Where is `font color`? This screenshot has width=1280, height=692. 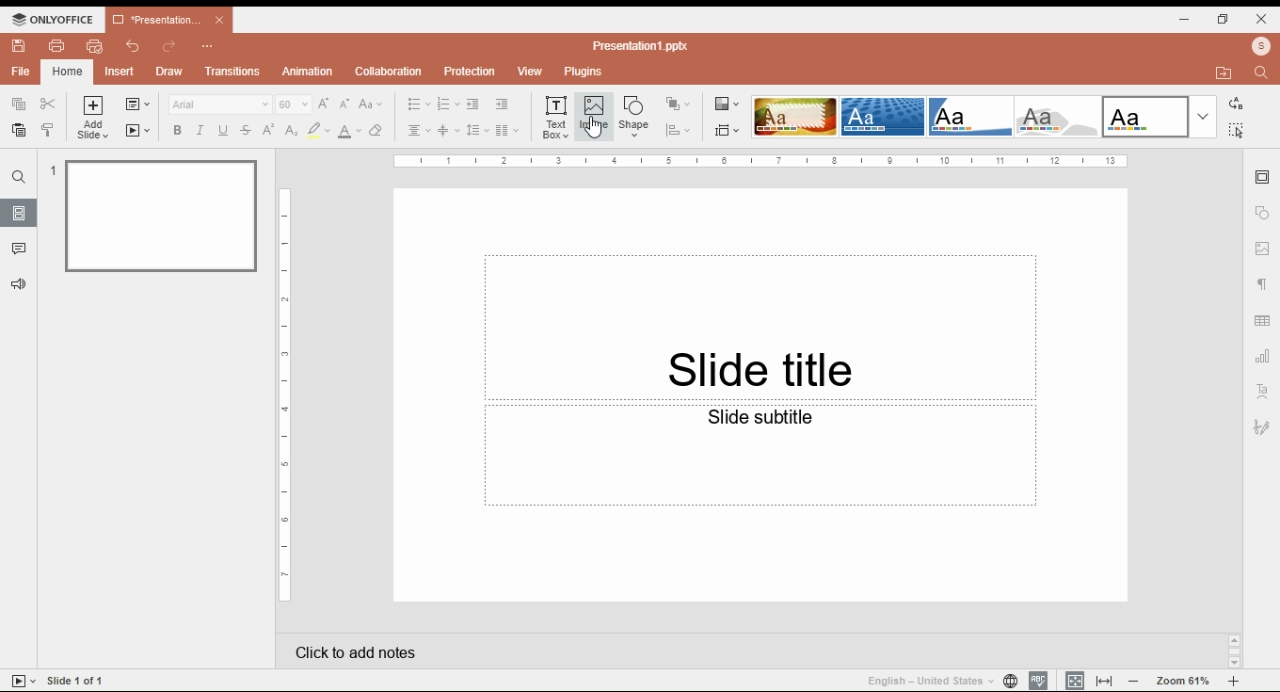
font color is located at coordinates (350, 133).